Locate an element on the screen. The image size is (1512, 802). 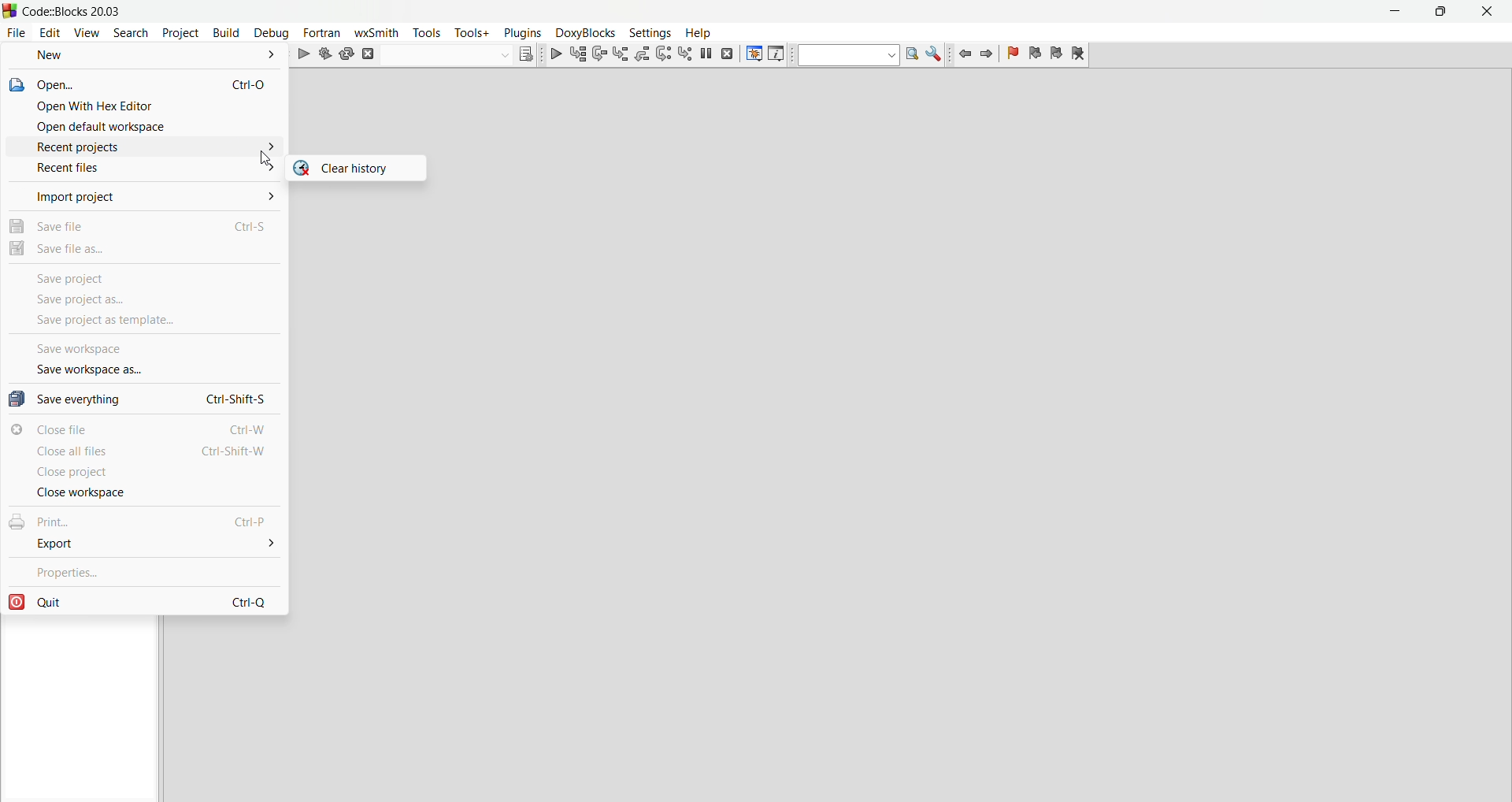
search is located at coordinates (134, 33).